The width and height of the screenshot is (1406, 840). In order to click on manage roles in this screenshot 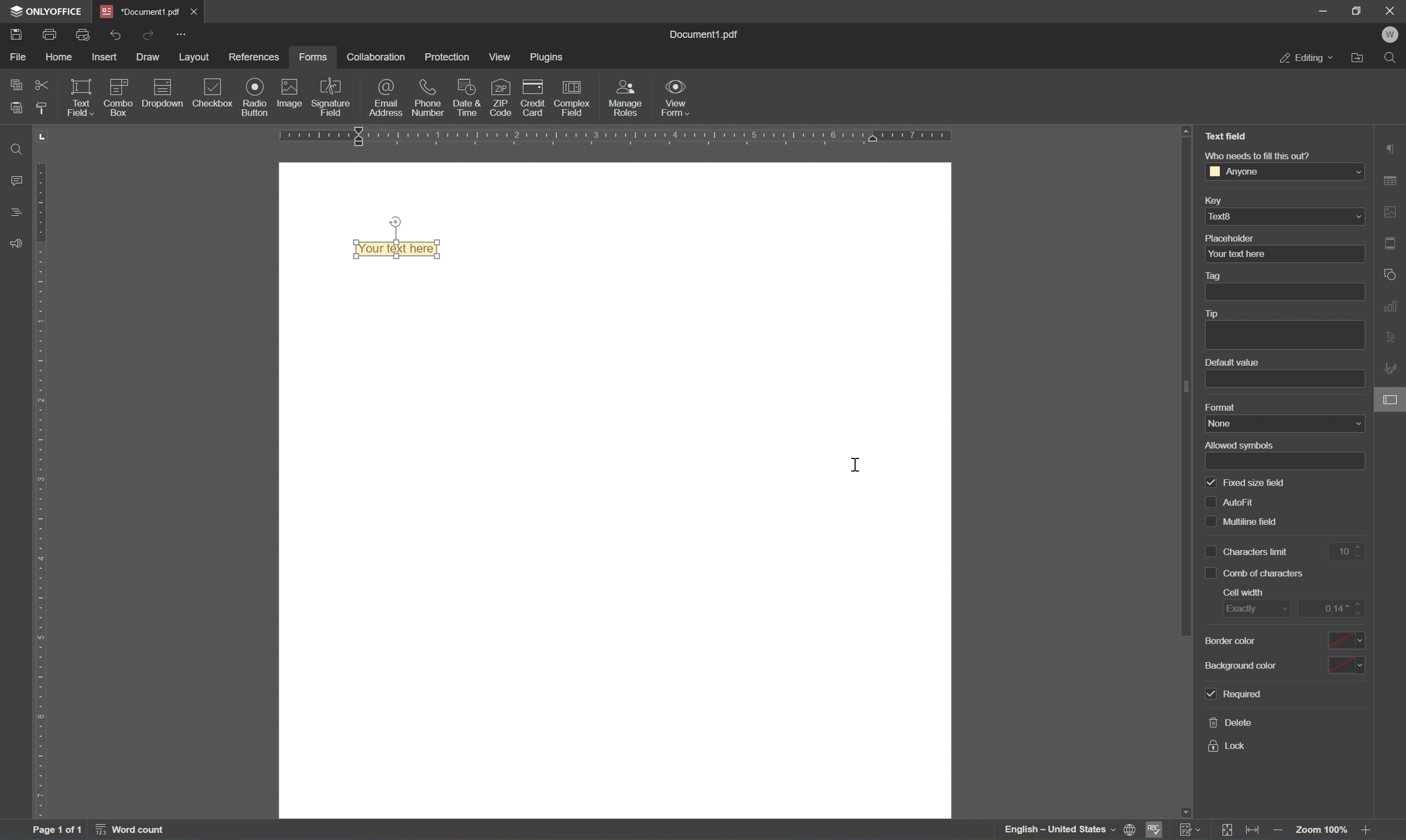, I will do `click(623, 100)`.